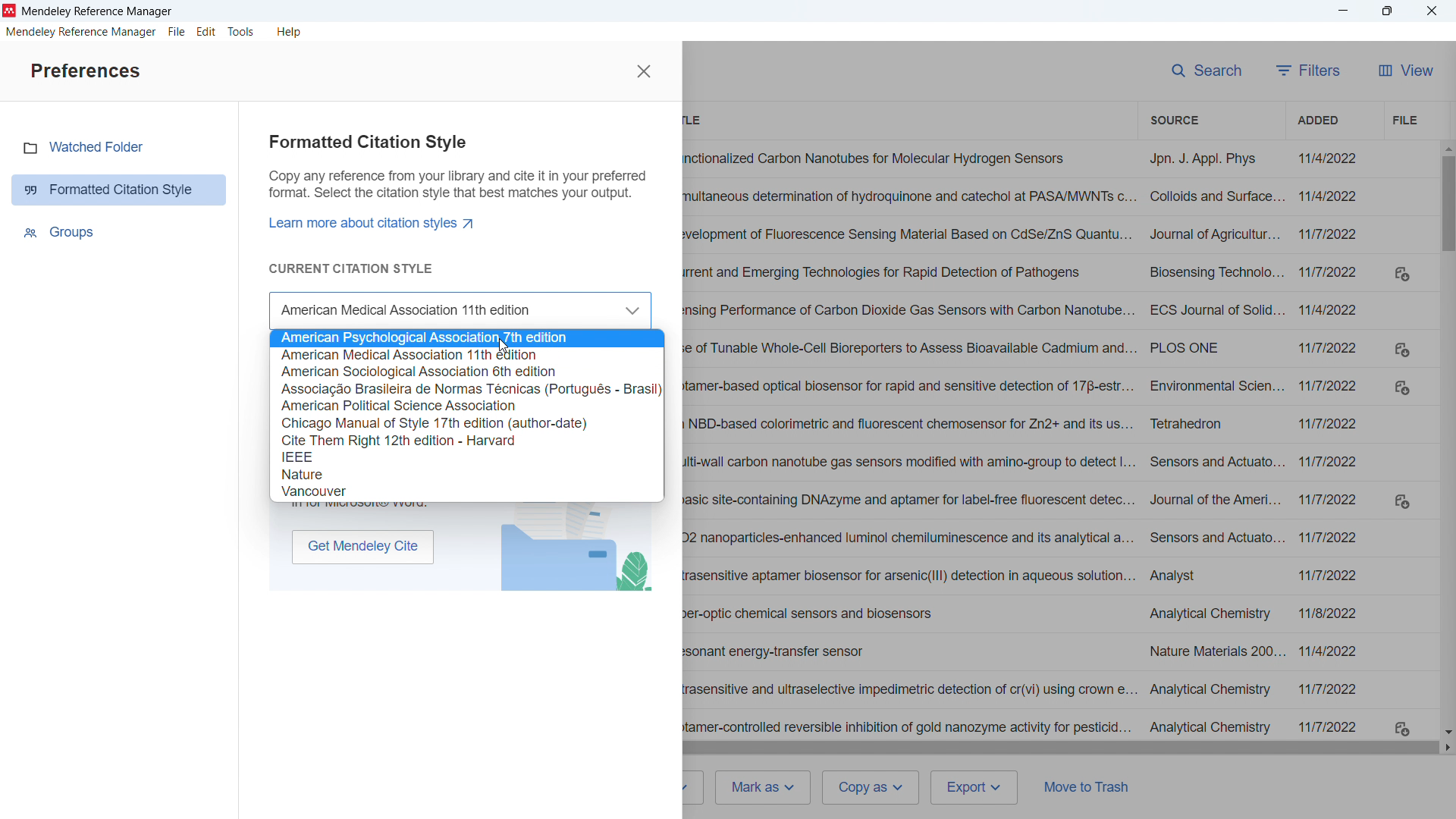 Image resolution: width=1456 pixels, height=819 pixels. I want to click on American political science association, so click(466, 405).